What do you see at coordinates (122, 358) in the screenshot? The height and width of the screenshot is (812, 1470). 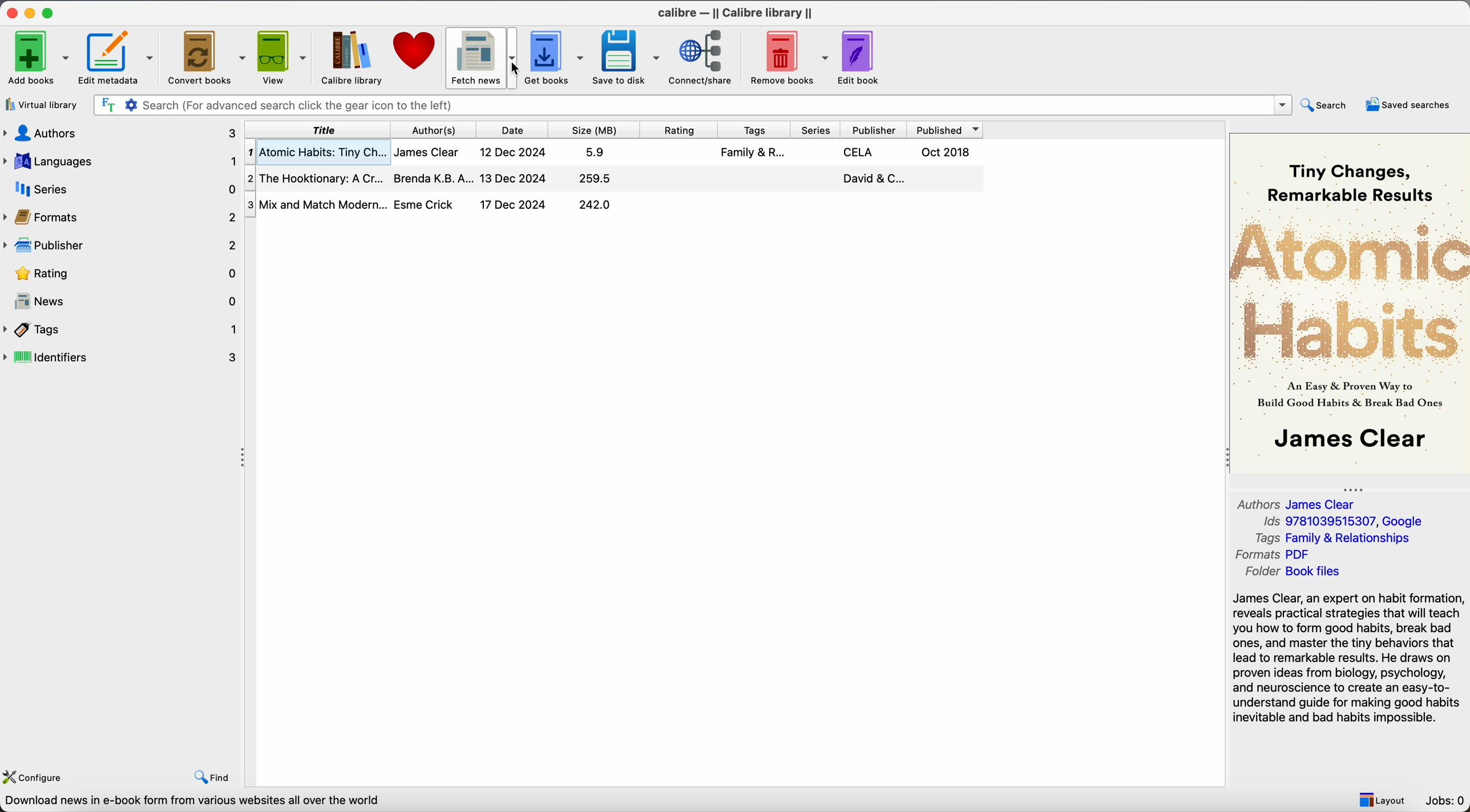 I see `identifiers` at bounding box center [122, 358].